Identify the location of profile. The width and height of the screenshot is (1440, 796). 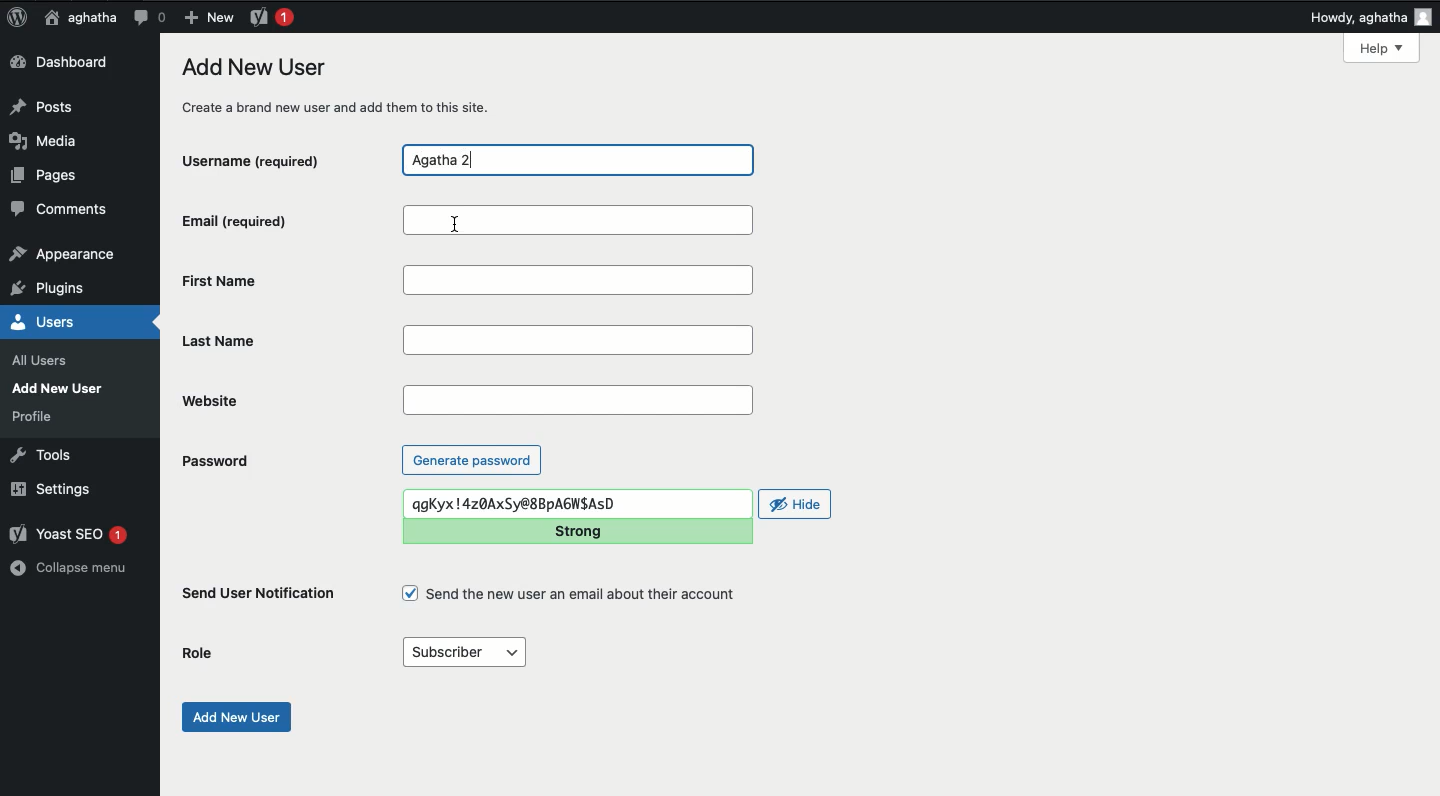
(38, 416).